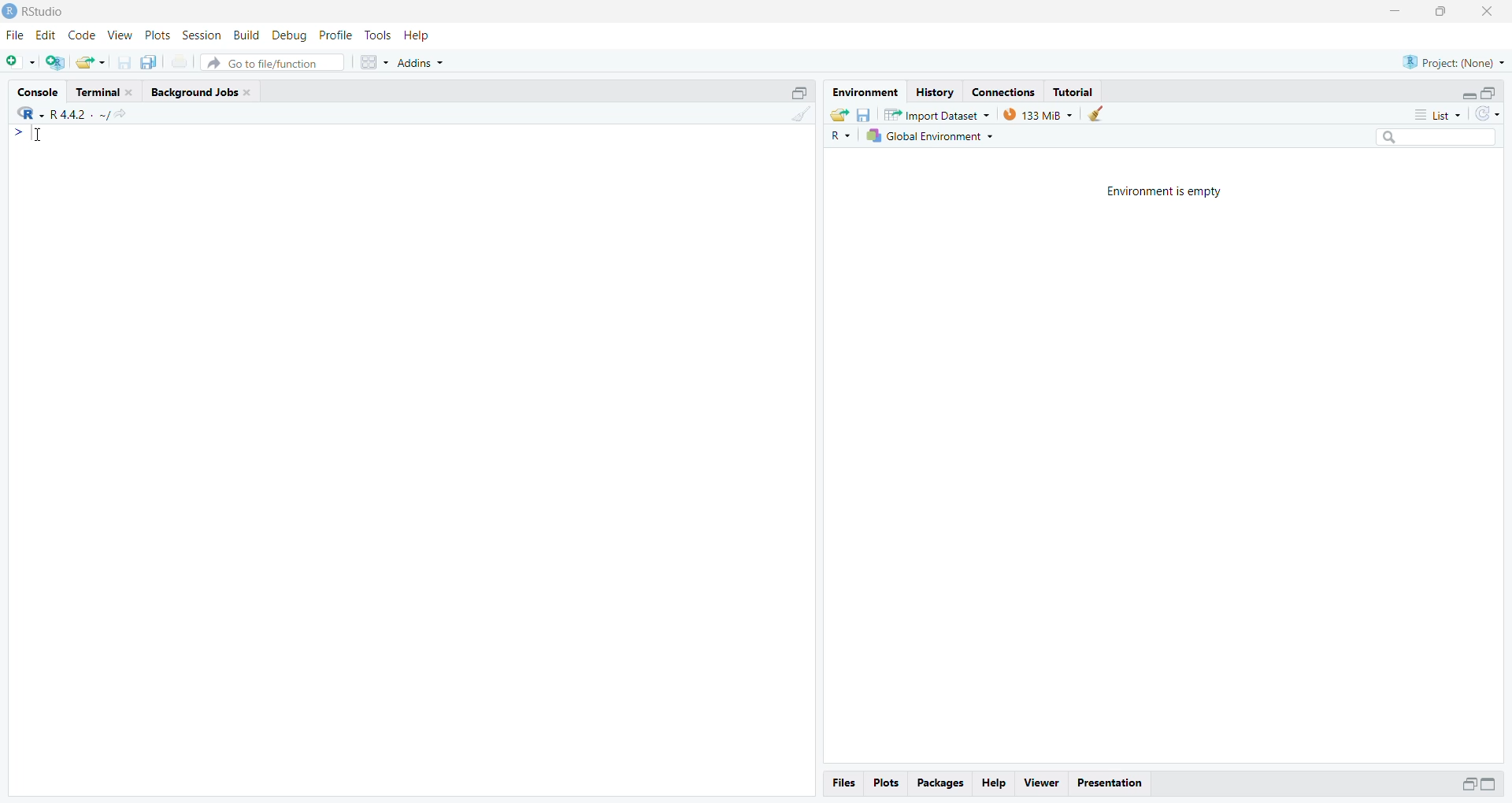 The image size is (1512, 803). Describe the element at coordinates (19, 60) in the screenshot. I see `New File` at that location.